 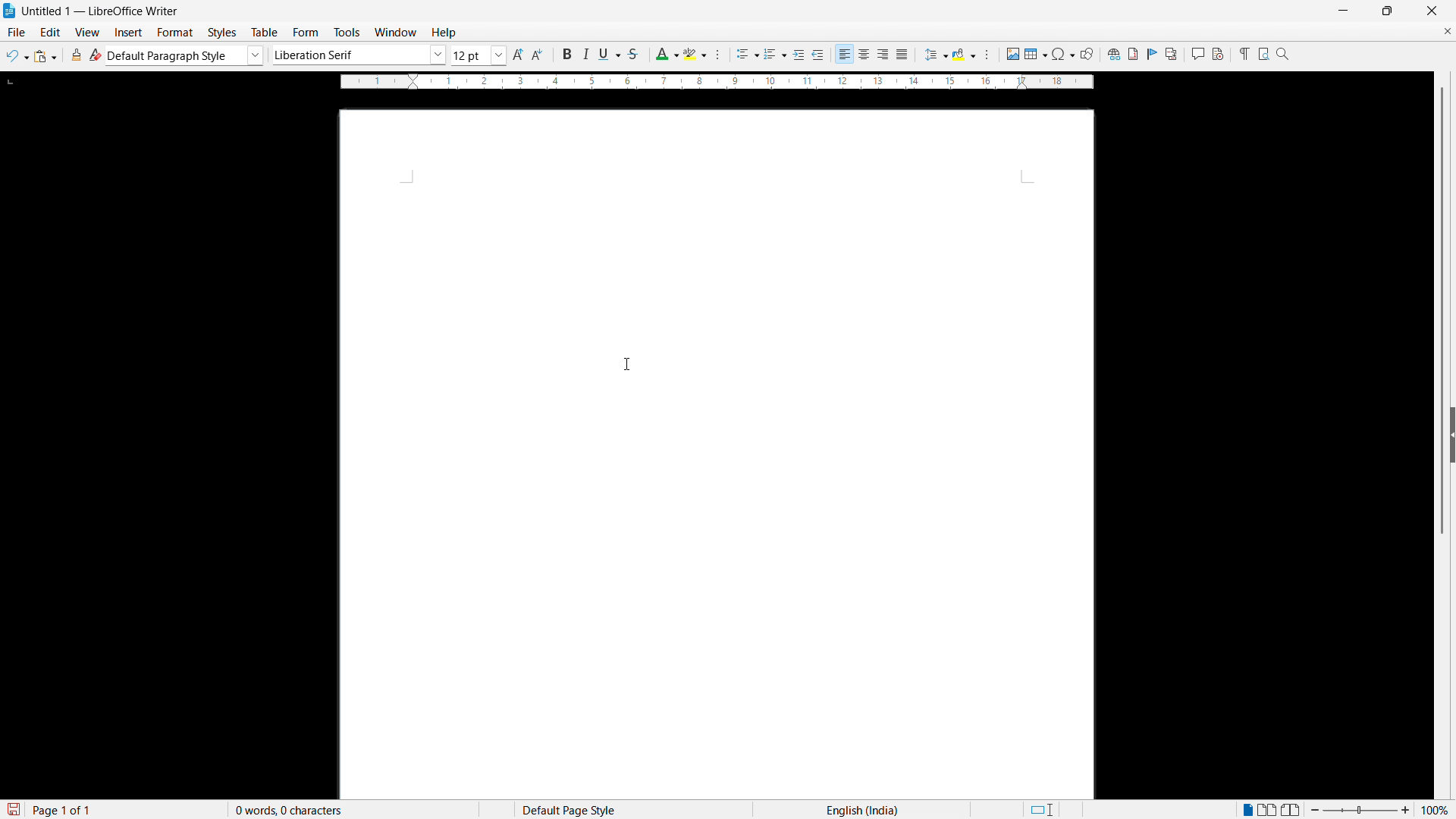 What do you see at coordinates (1012, 53) in the screenshot?
I see `Add image ` at bounding box center [1012, 53].